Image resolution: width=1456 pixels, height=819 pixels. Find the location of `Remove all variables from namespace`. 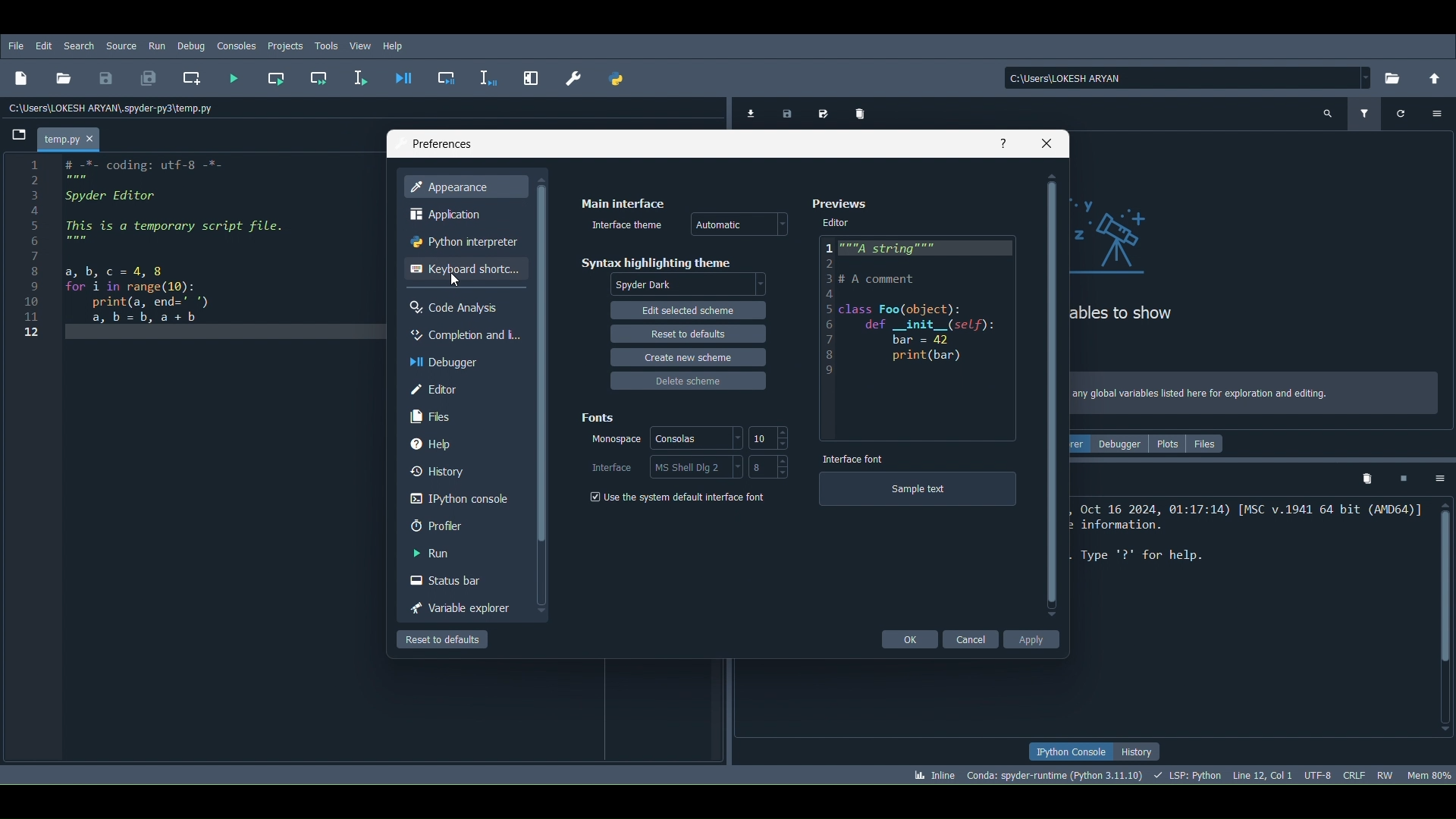

Remove all variables from namespace is located at coordinates (1367, 481).